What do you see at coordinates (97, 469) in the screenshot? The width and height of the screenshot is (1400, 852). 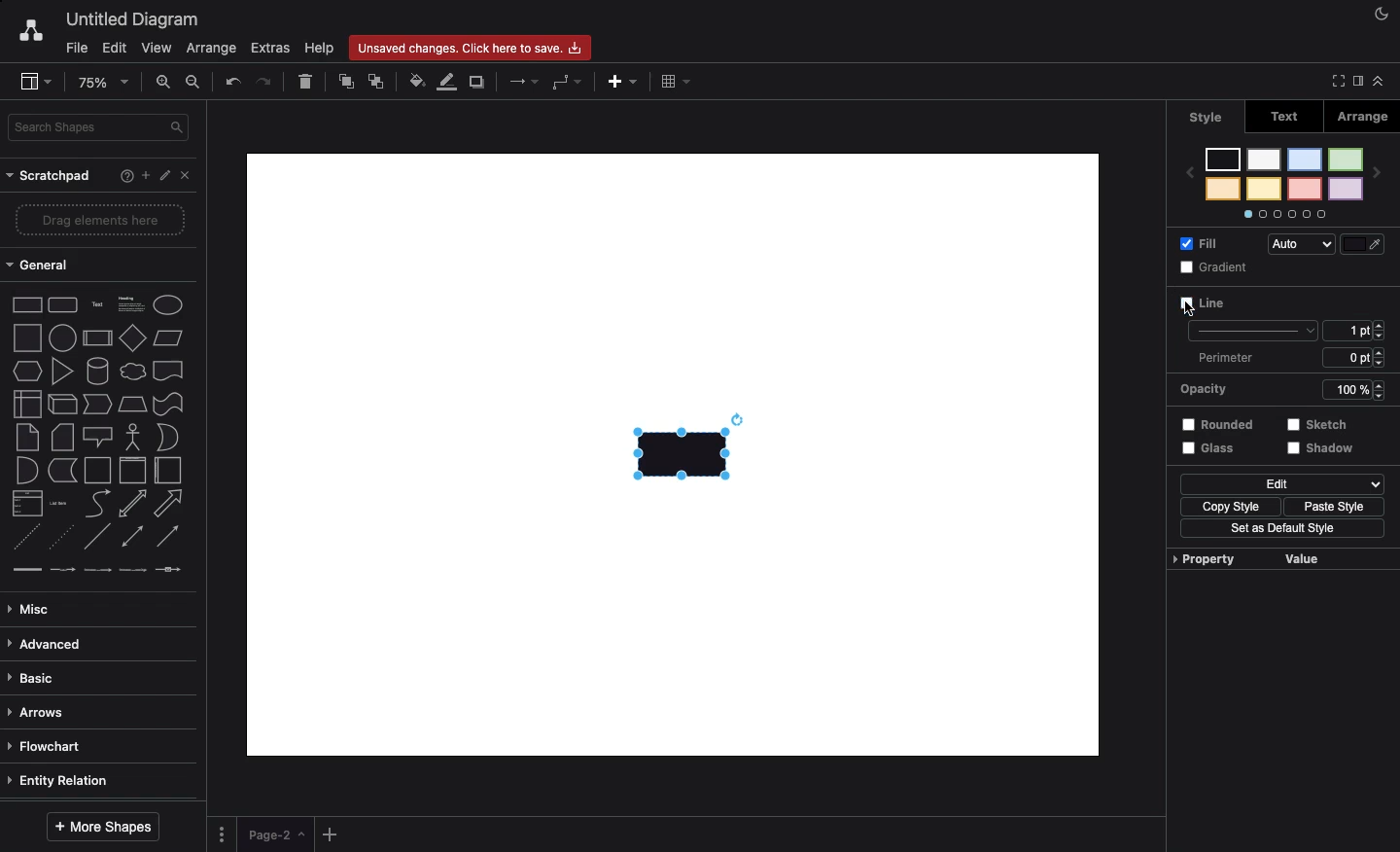 I see `container` at bounding box center [97, 469].